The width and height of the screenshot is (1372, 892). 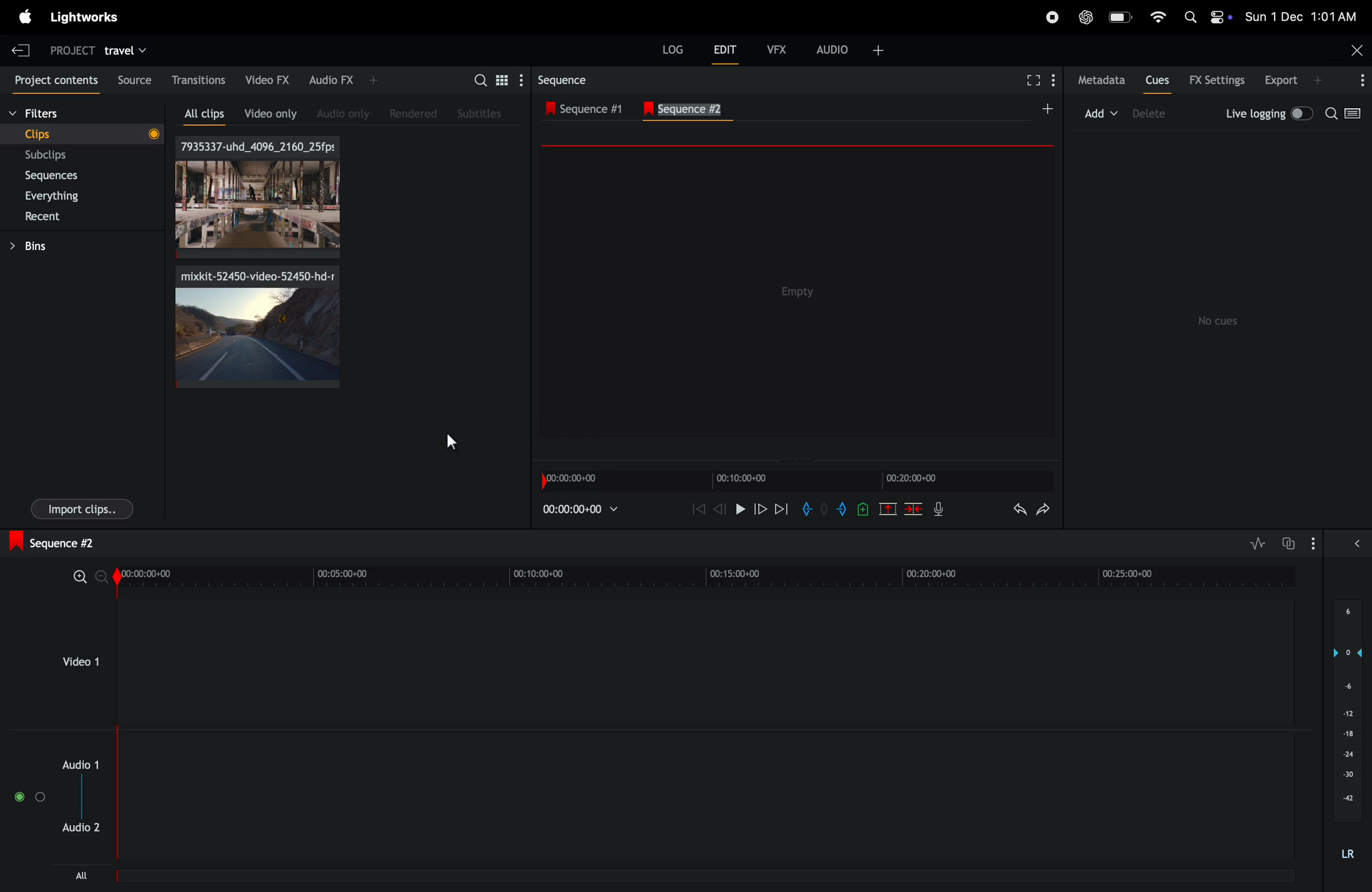 I want to click on video only, so click(x=270, y=112).